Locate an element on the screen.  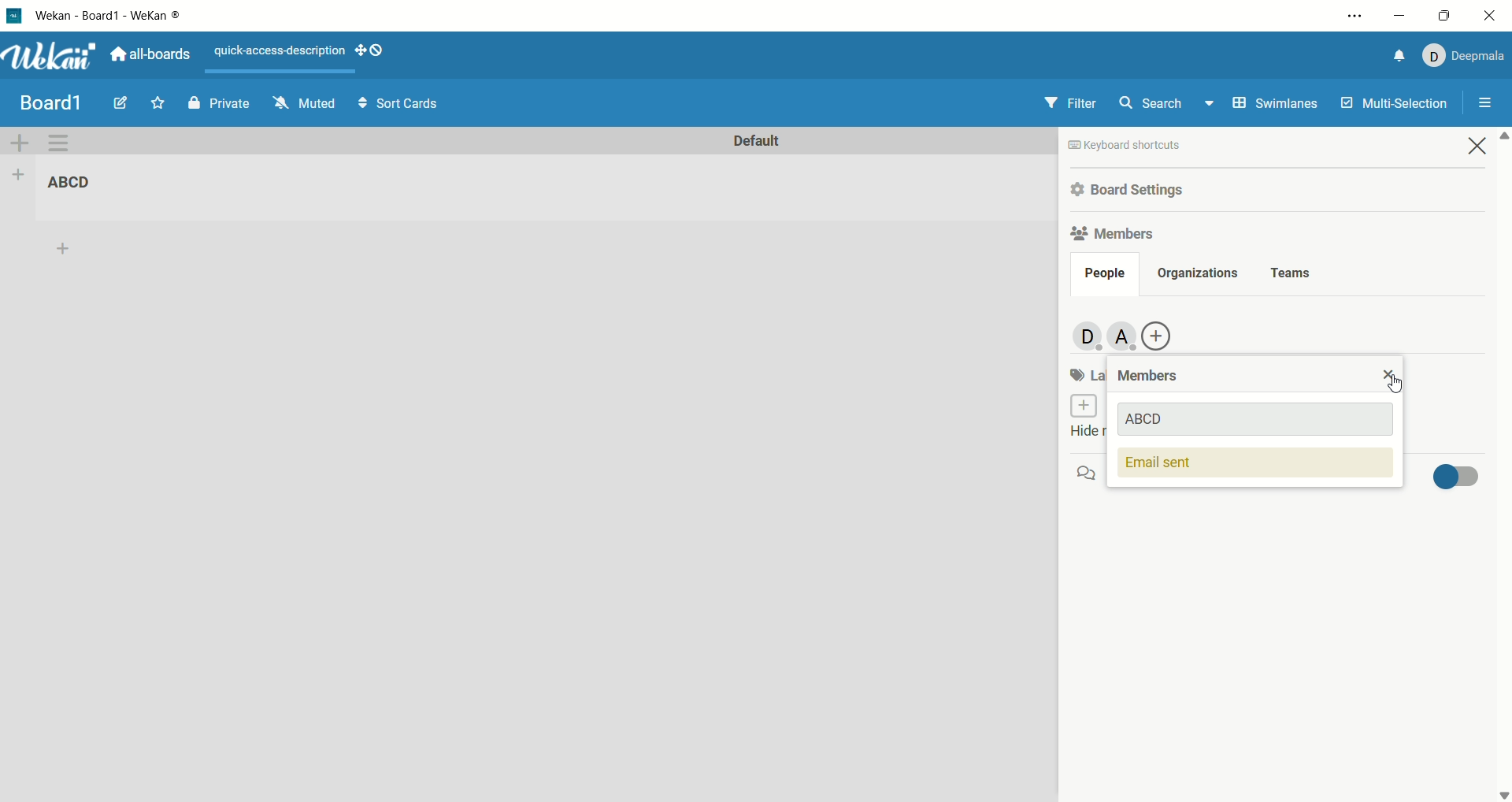
default is located at coordinates (755, 142).